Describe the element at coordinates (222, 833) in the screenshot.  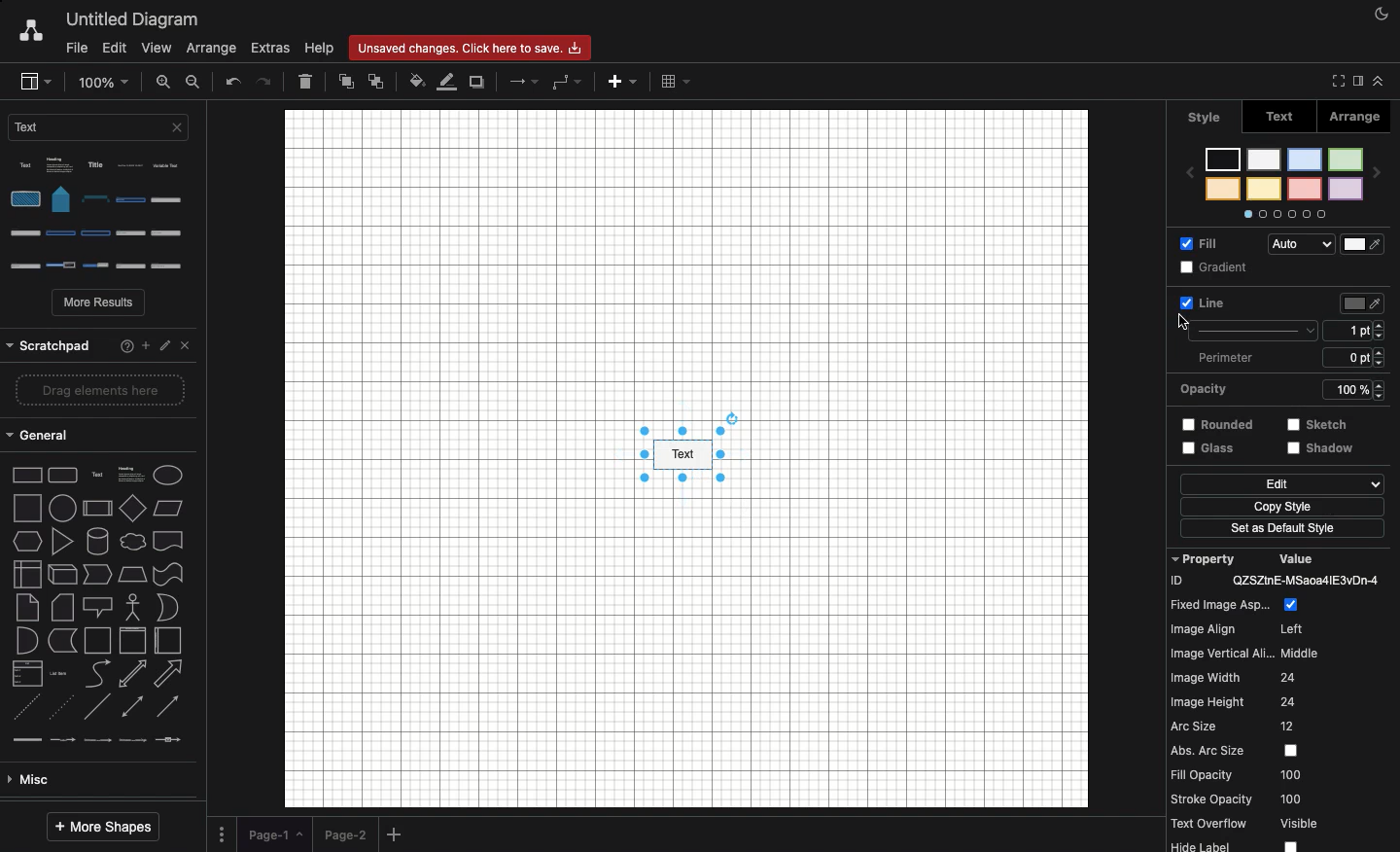
I see `Options` at that location.